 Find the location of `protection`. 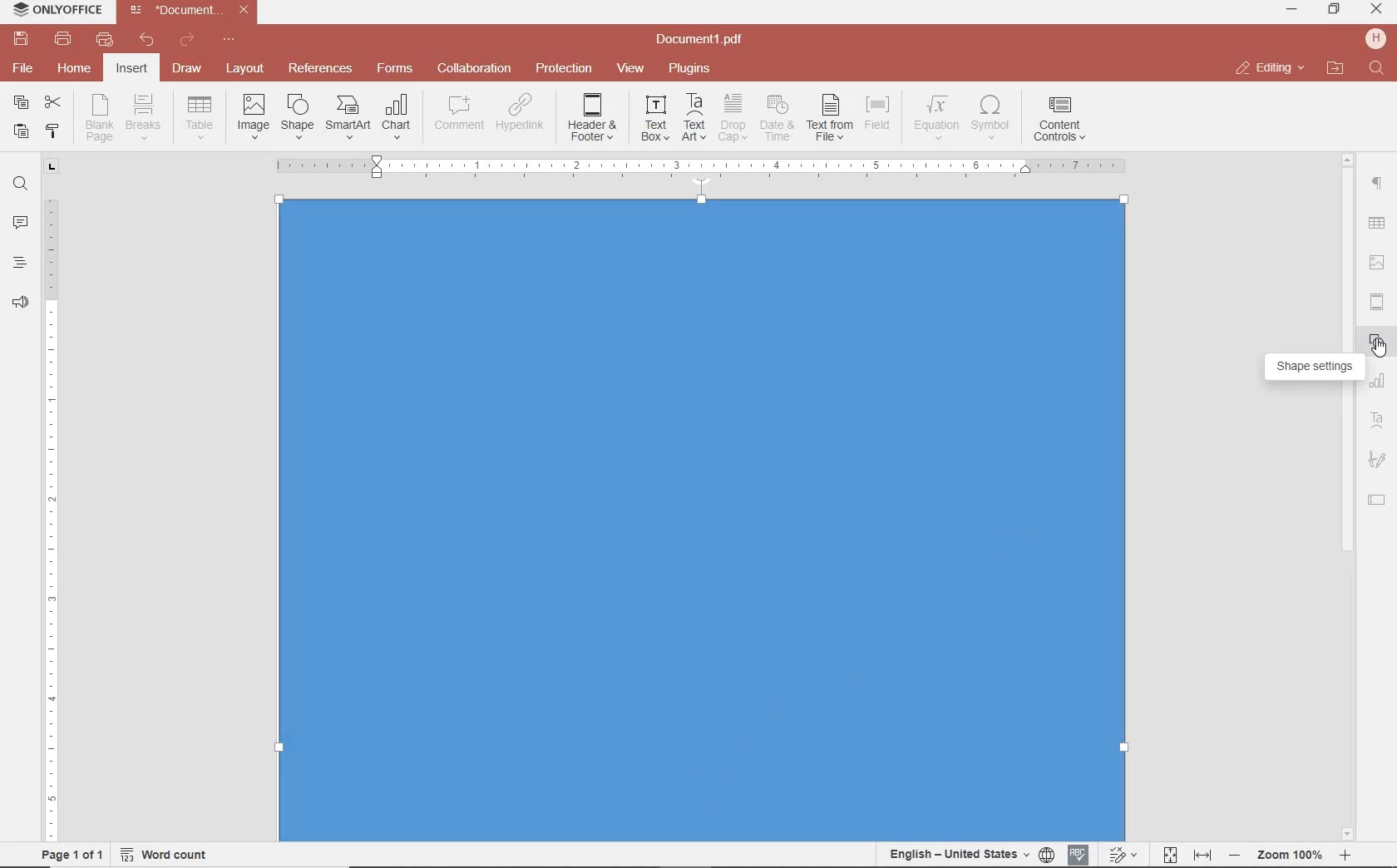

protection is located at coordinates (565, 69).